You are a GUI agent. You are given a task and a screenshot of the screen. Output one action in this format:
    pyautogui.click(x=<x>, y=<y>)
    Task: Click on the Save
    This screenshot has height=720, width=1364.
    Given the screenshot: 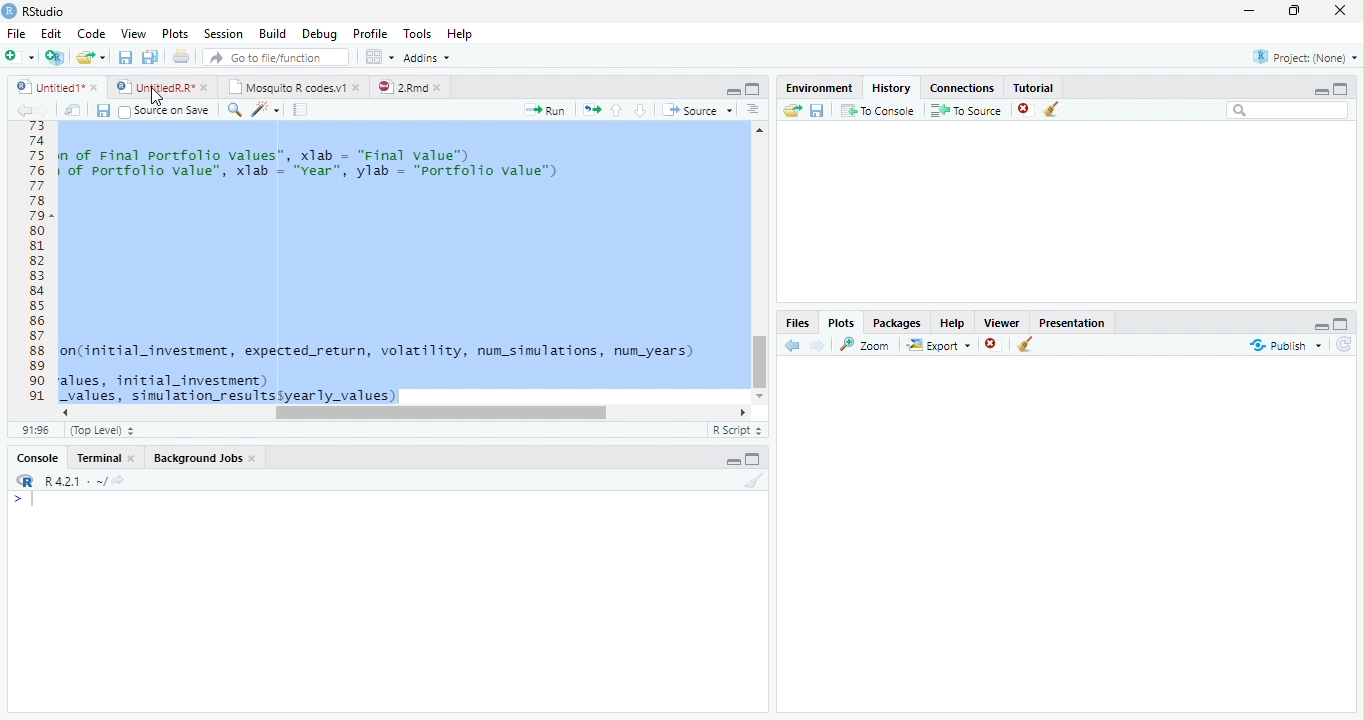 What is the action you would take?
    pyautogui.click(x=103, y=110)
    